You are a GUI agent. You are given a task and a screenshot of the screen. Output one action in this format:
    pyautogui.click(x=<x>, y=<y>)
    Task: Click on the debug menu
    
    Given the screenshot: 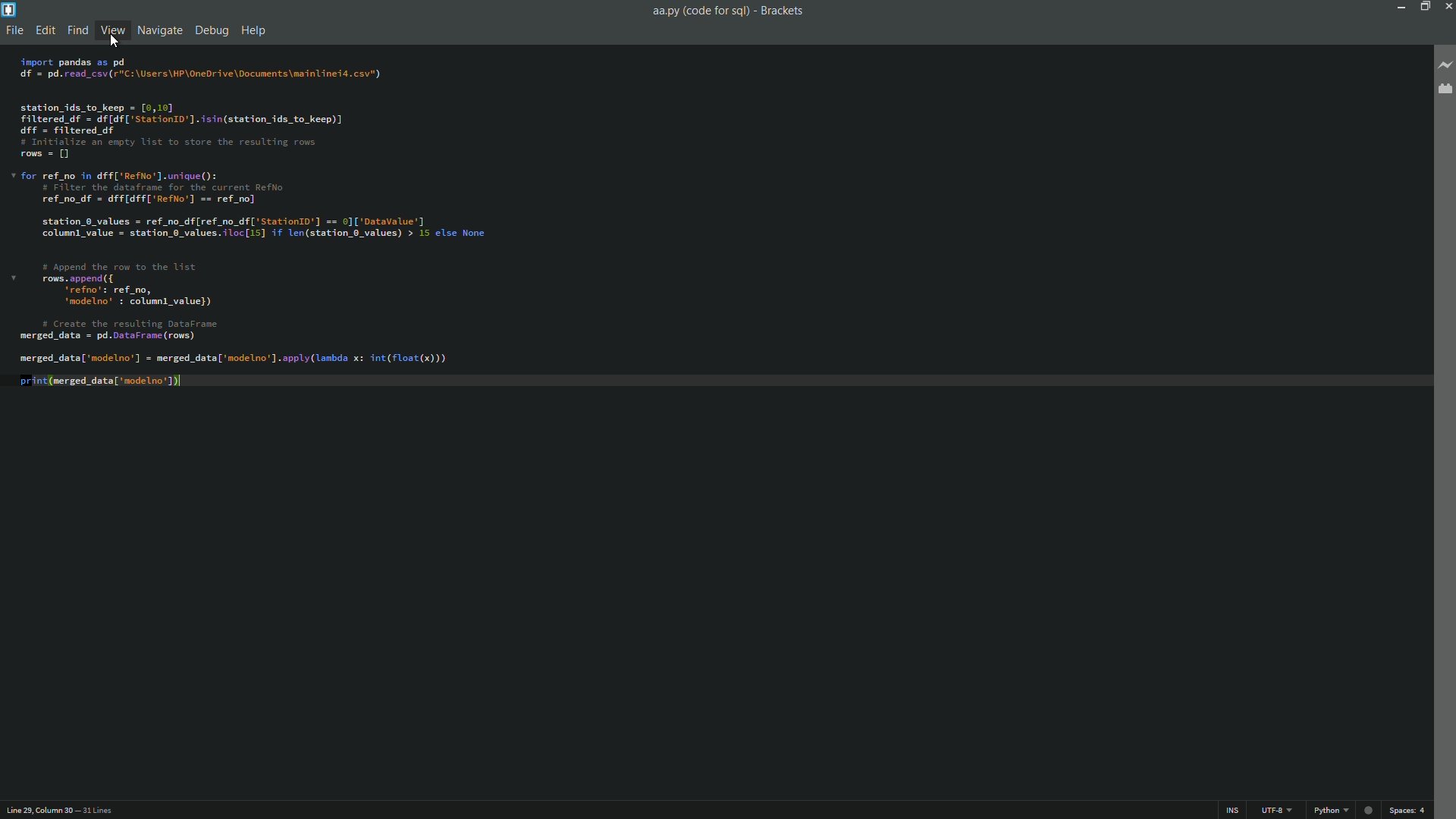 What is the action you would take?
    pyautogui.click(x=211, y=30)
    